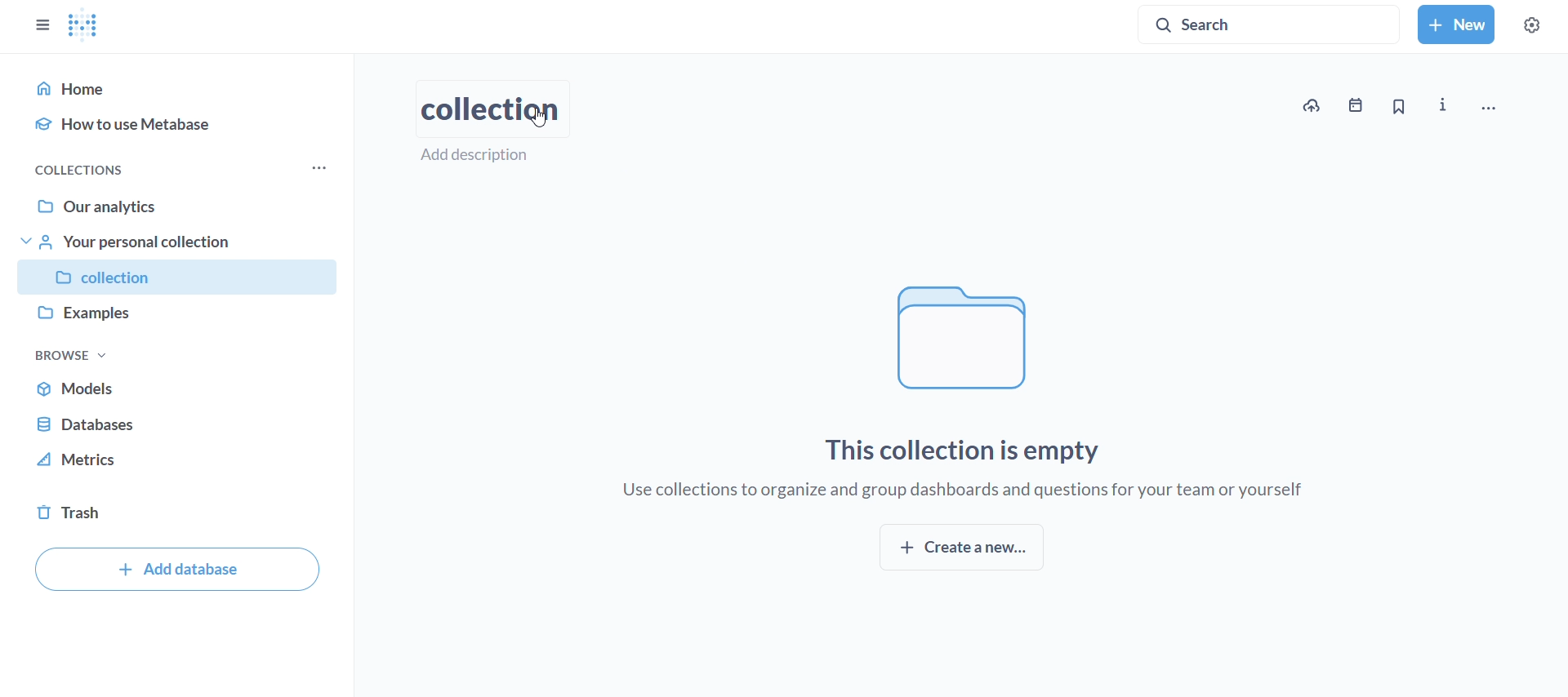 The image size is (1568, 697). I want to click on file logo, so click(968, 338).